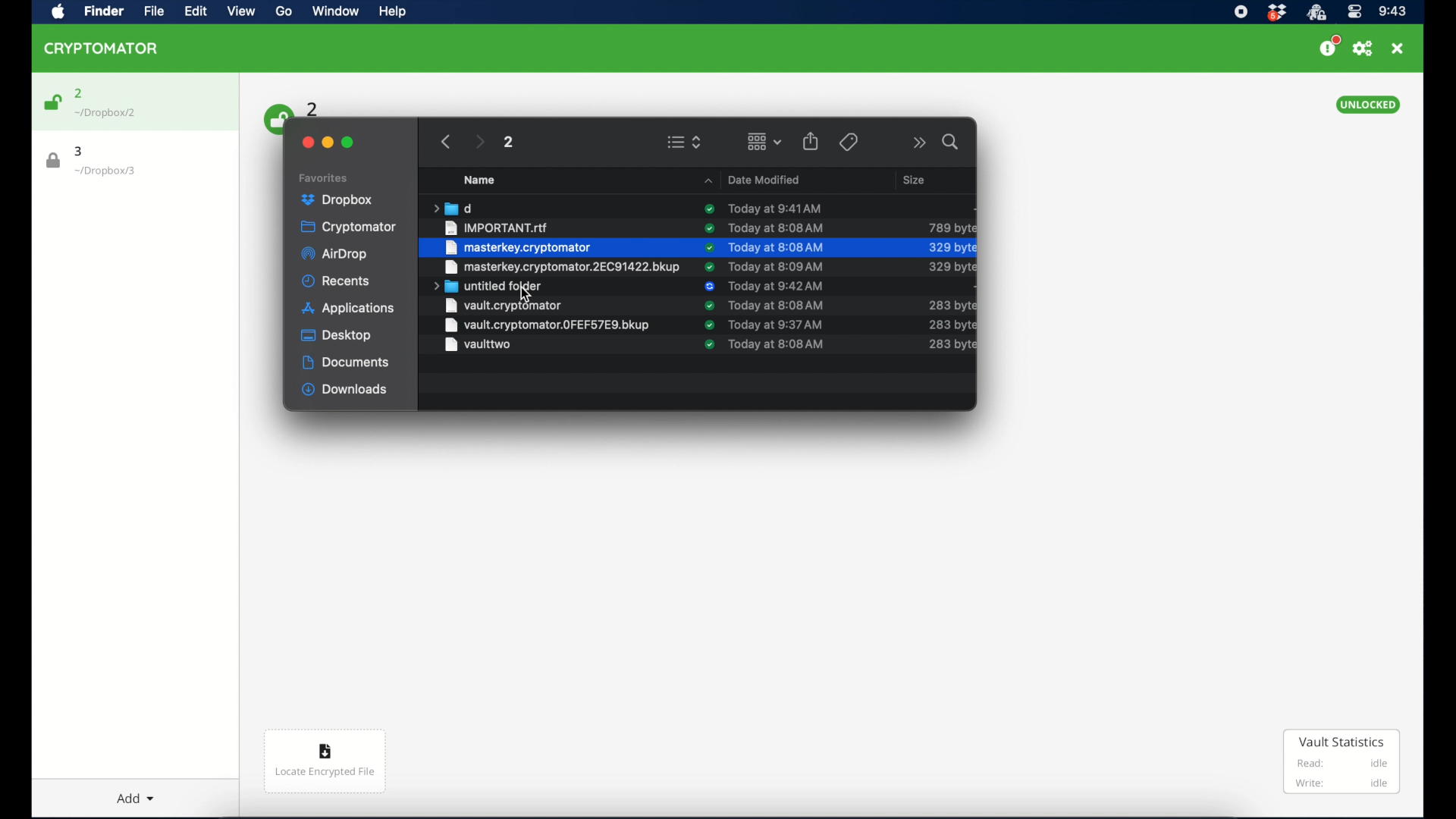 Image resolution: width=1456 pixels, height=819 pixels. I want to click on close, so click(1398, 49).